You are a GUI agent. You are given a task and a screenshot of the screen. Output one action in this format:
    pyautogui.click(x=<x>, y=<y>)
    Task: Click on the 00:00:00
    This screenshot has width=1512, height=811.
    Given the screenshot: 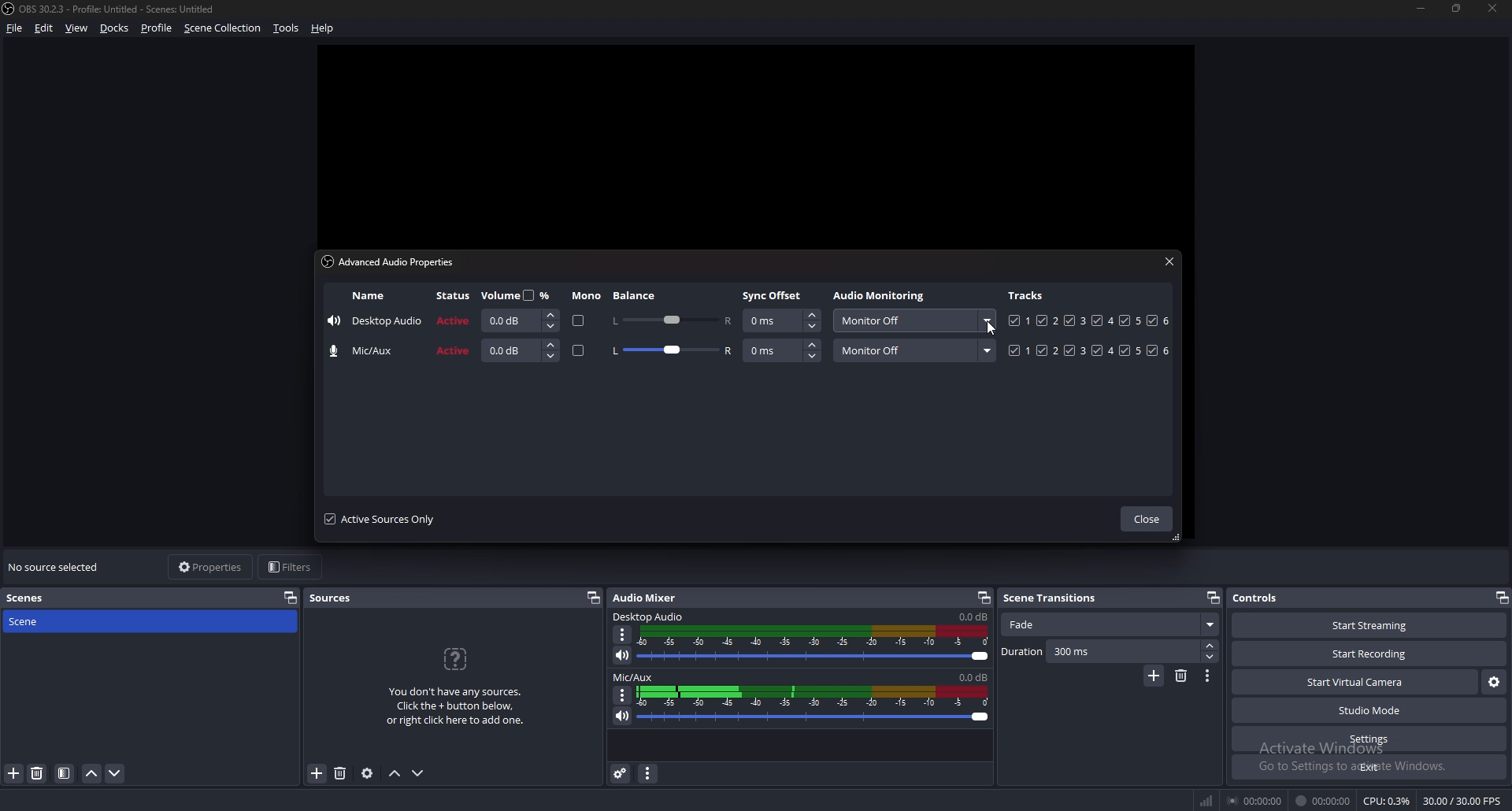 What is the action you would take?
    pyautogui.click(x=1257, y=800)
    